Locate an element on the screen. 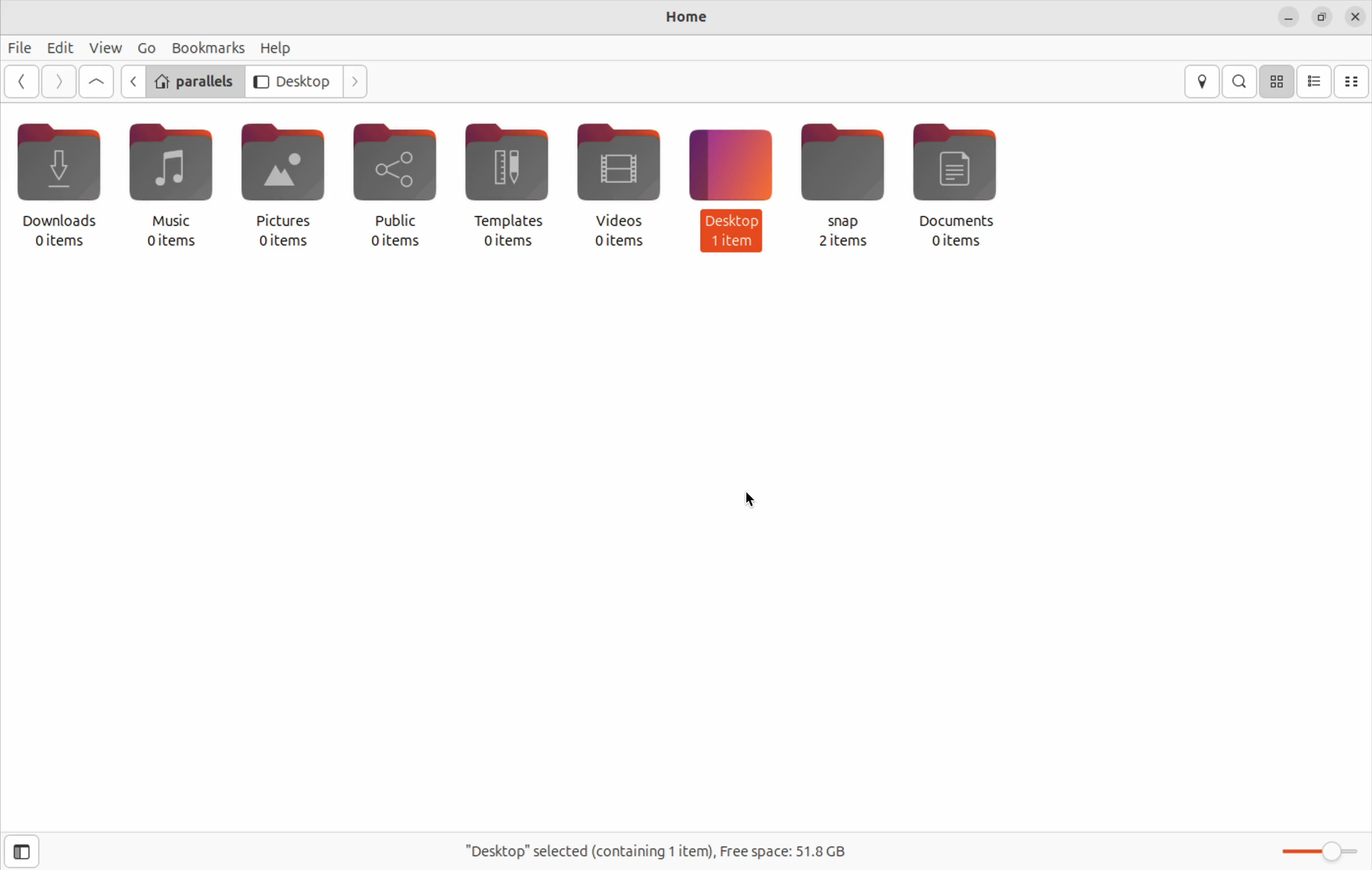 The width and height of the screenshot is (1372, 870). Go back is located at coordinates (129, 81).